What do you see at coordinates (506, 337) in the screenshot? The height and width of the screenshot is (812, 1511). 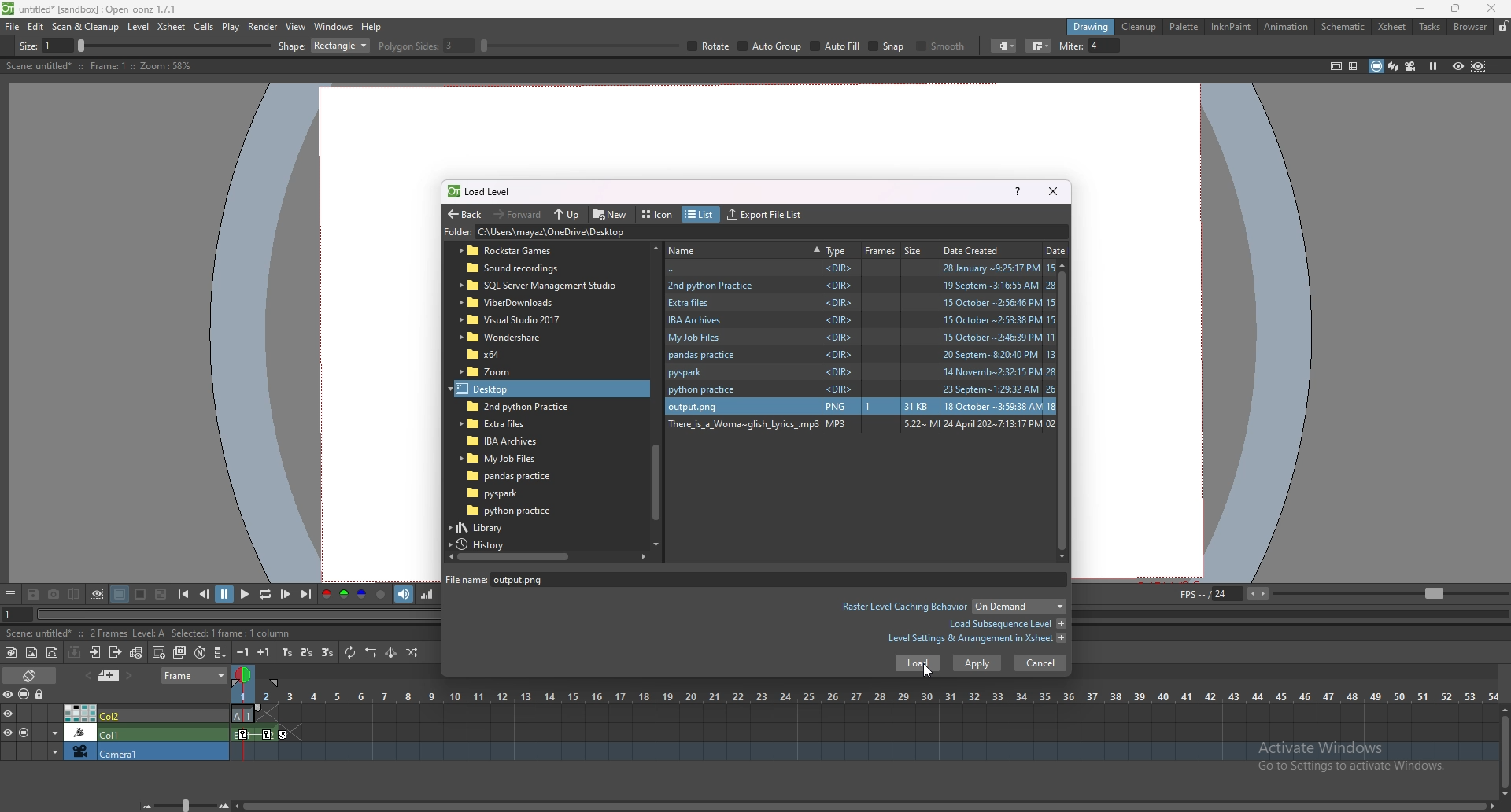 I see `folder` at bounding box center [506, 337].